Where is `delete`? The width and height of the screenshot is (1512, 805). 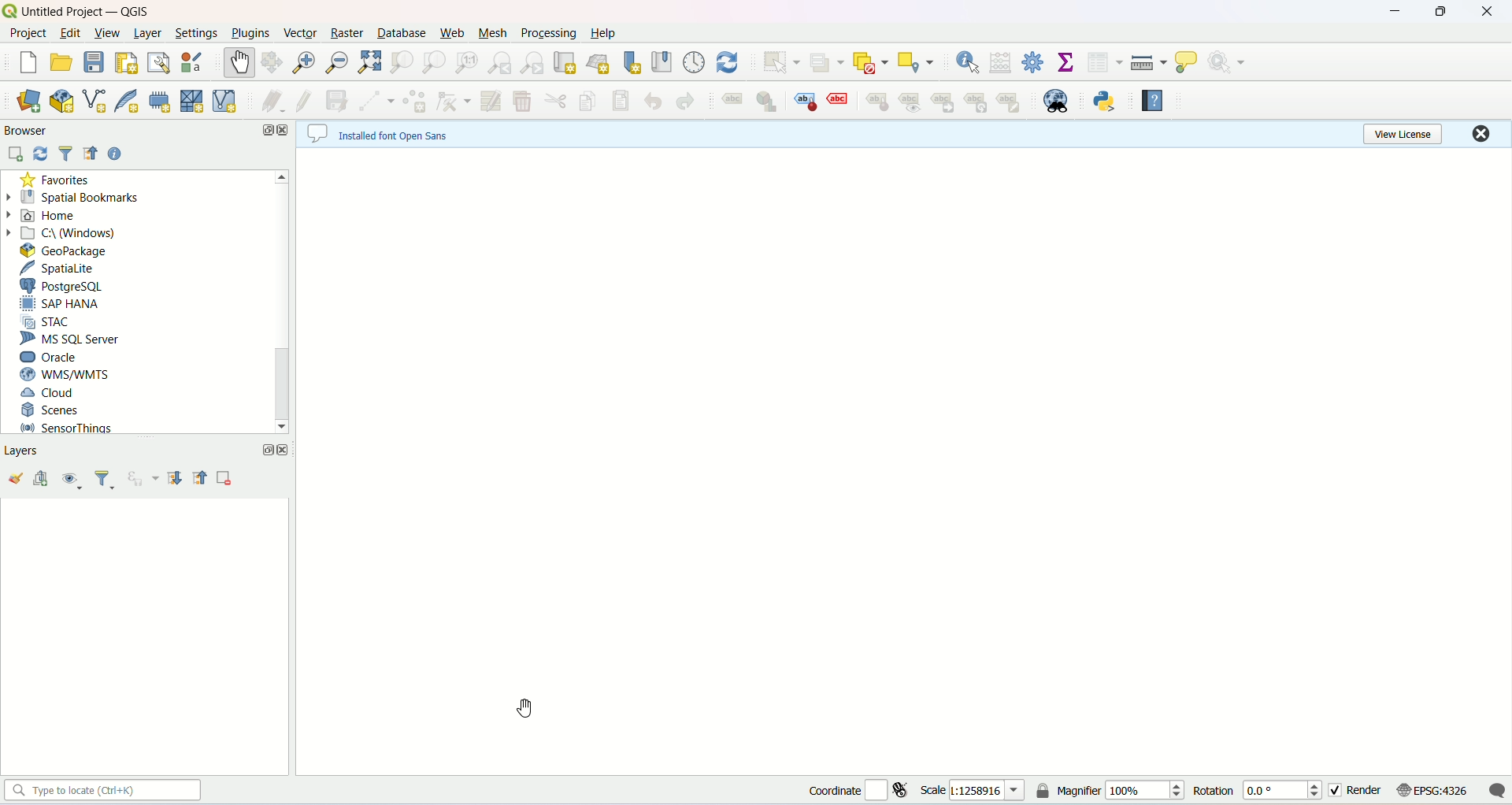
delete is located at coordinates (523, 97).